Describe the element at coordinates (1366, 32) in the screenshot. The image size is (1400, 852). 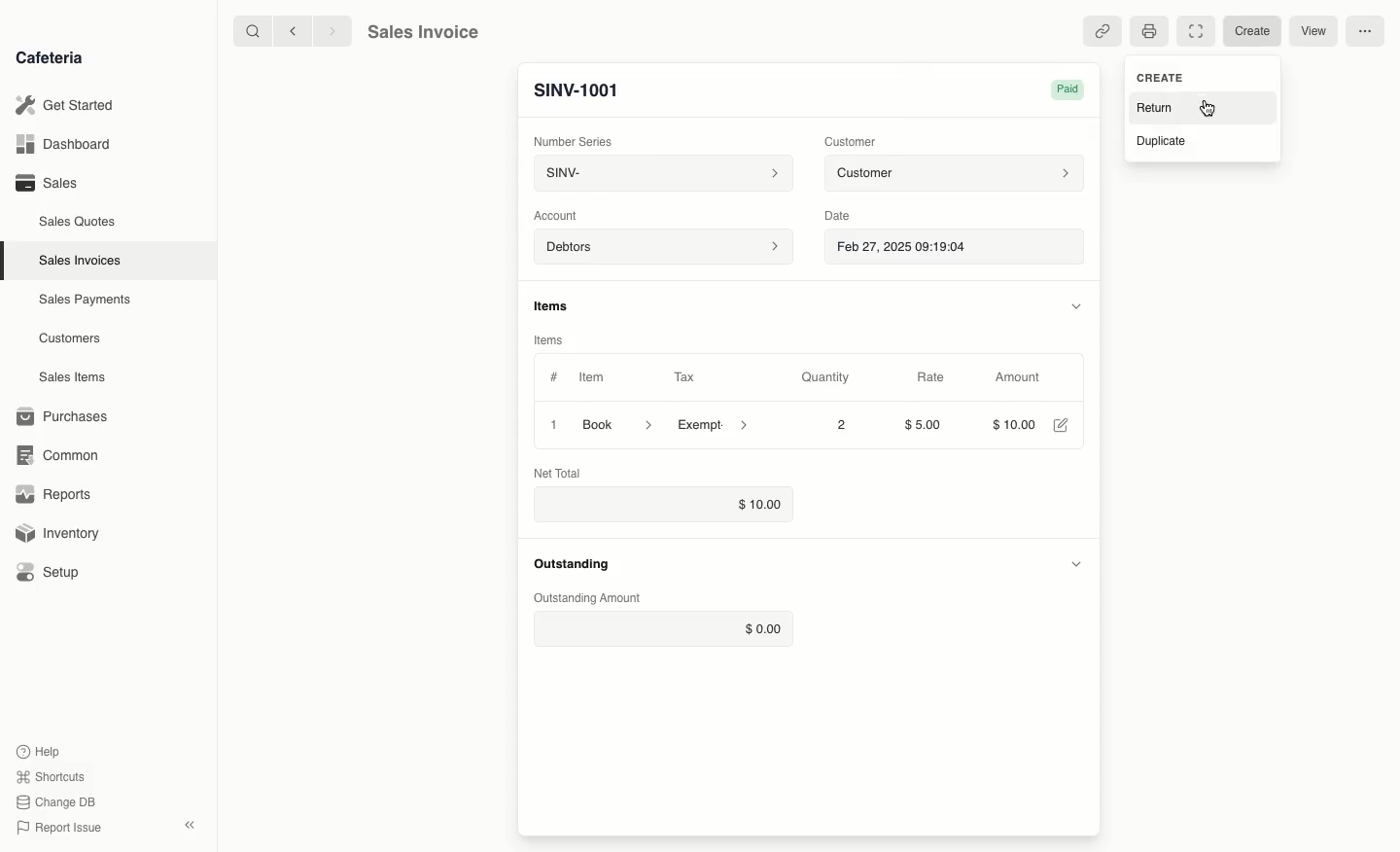
I see `more options` at that location.